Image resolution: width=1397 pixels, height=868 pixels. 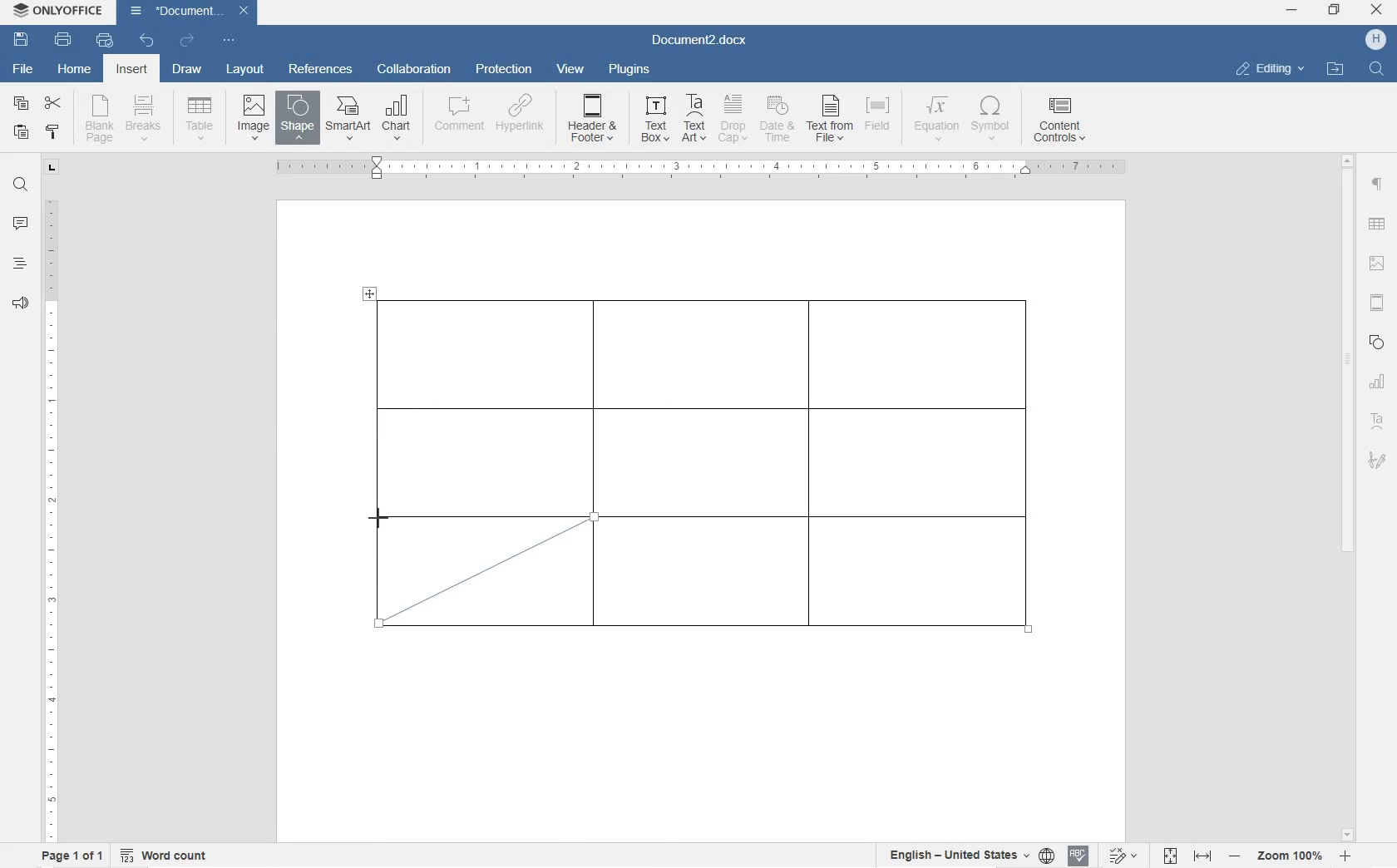 What do you see at coordinates (1376, 460) in the screenshot?
I see `signature` at bounding box center [1376, 460].